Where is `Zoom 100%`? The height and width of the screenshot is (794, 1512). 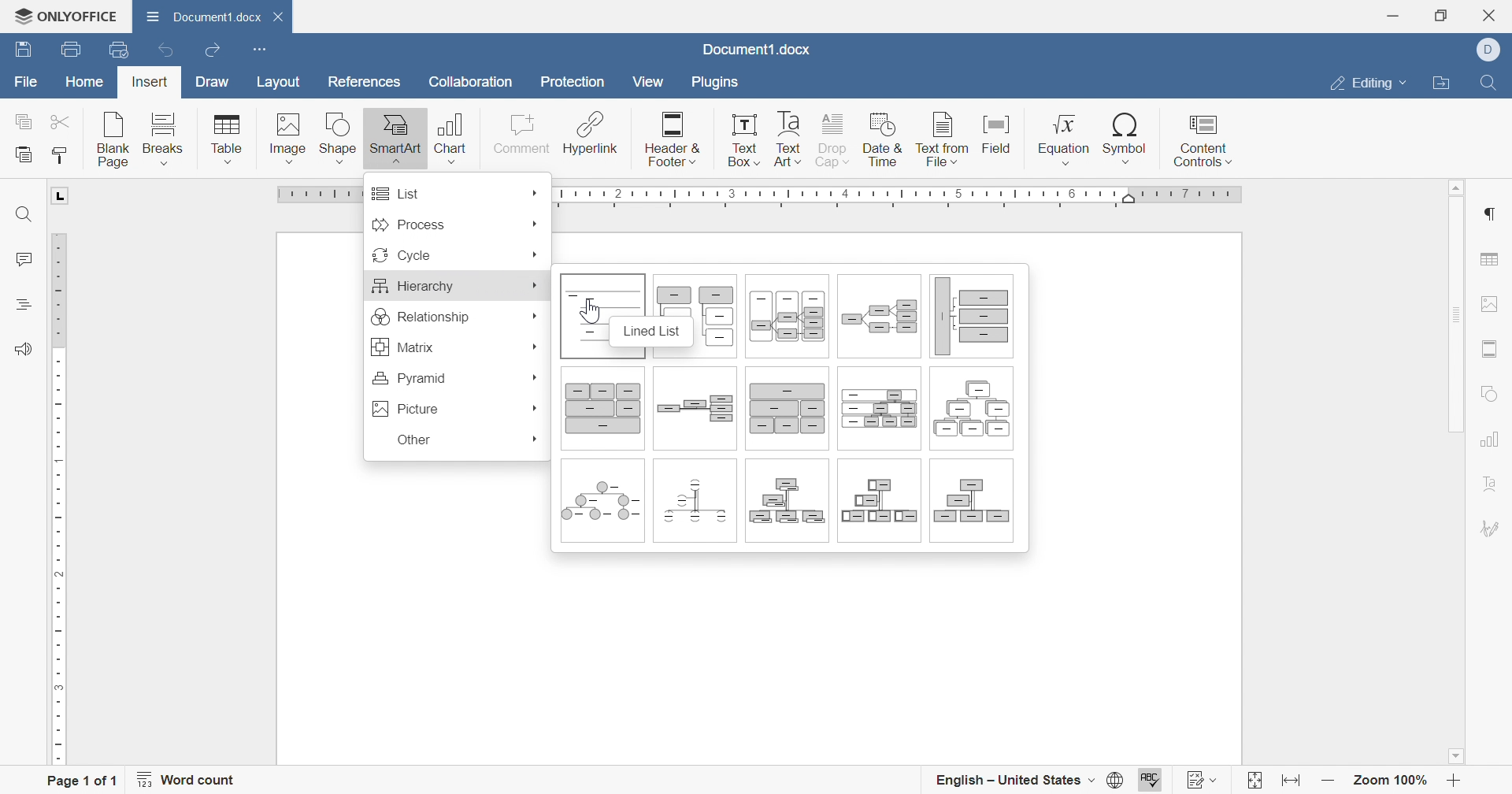 Zoom 100% is located at coordinates (1392, 778).